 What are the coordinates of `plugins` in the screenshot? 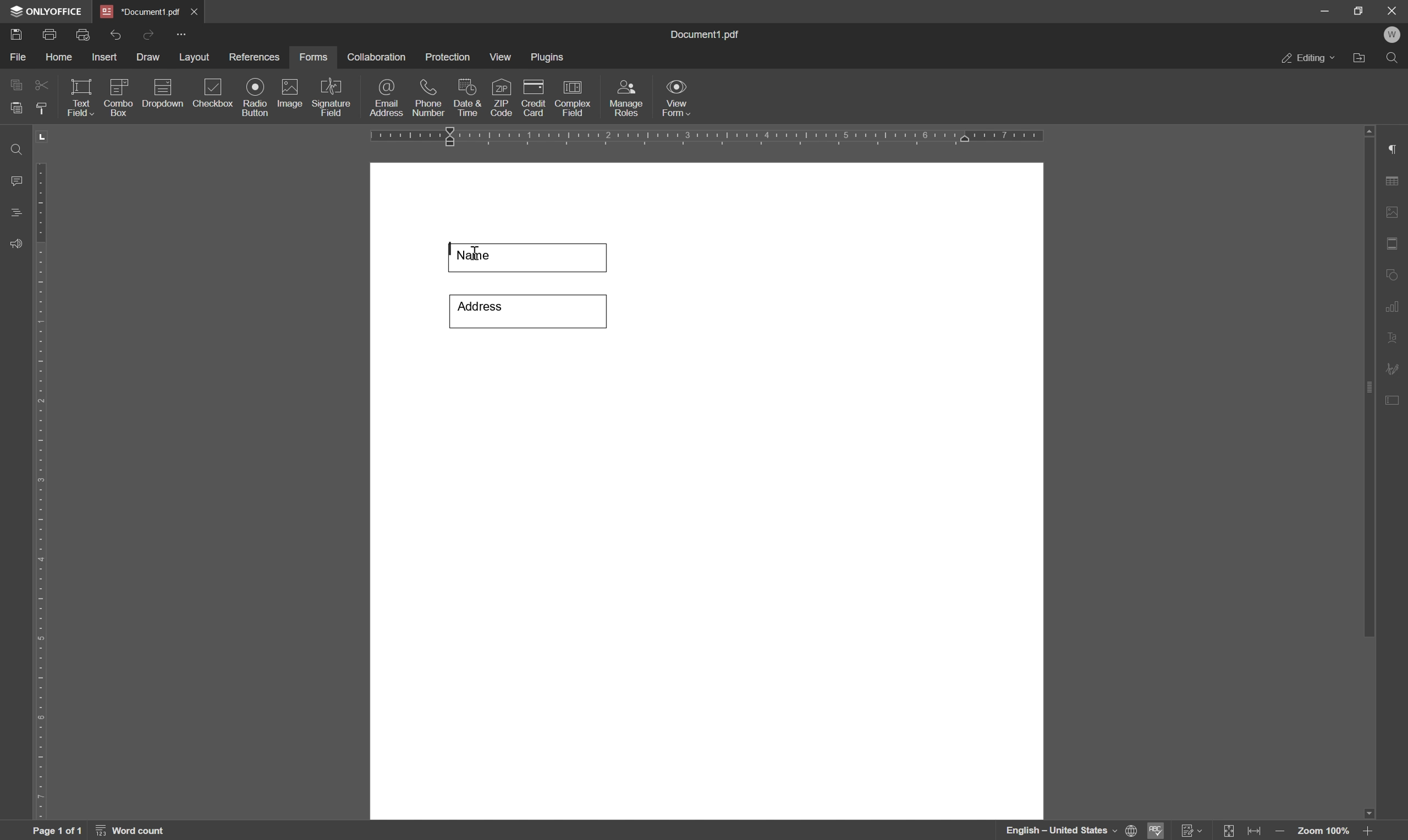 It's located at (549, 58).